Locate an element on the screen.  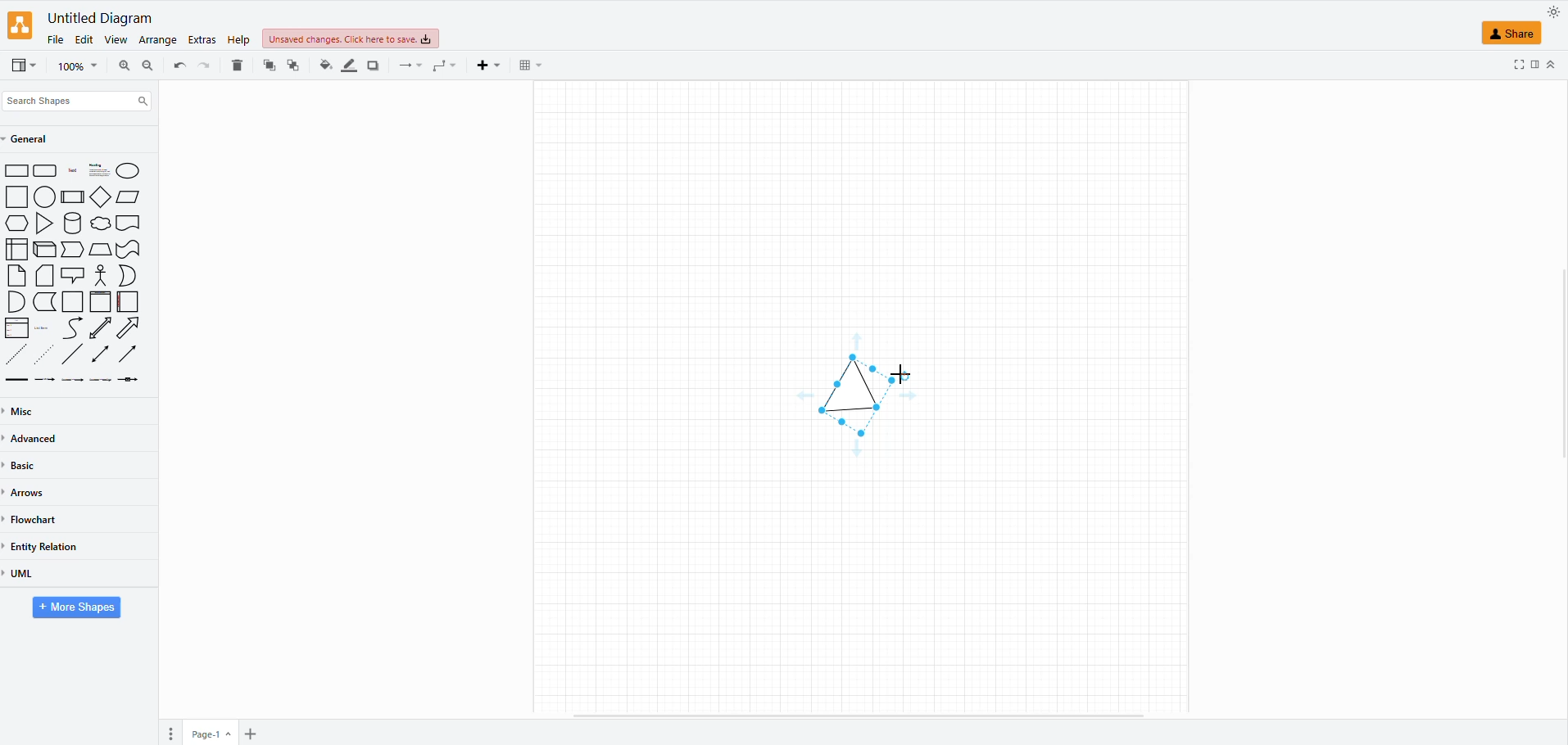
Dotted Arrow is located at coordinates (47, 354).